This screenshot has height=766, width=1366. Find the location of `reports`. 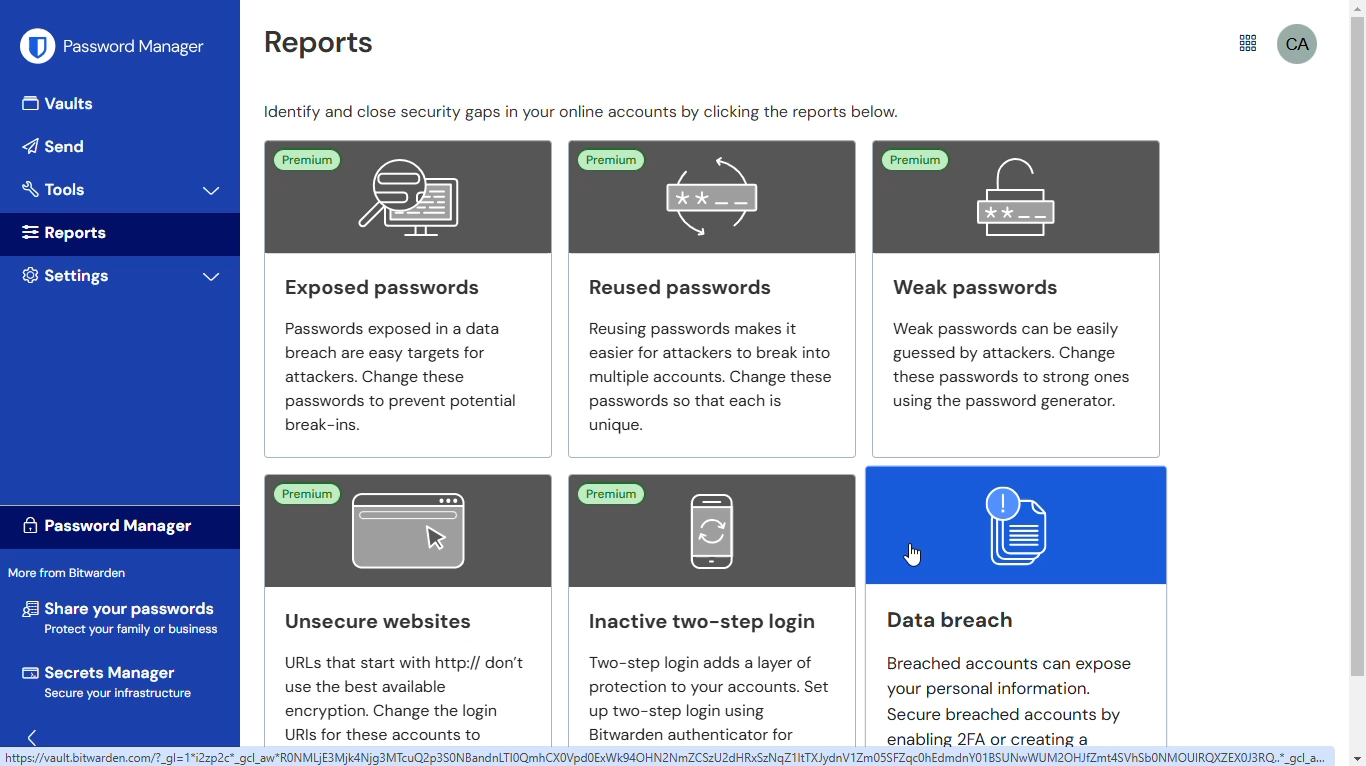

reports is located at coordinates (319, 42).